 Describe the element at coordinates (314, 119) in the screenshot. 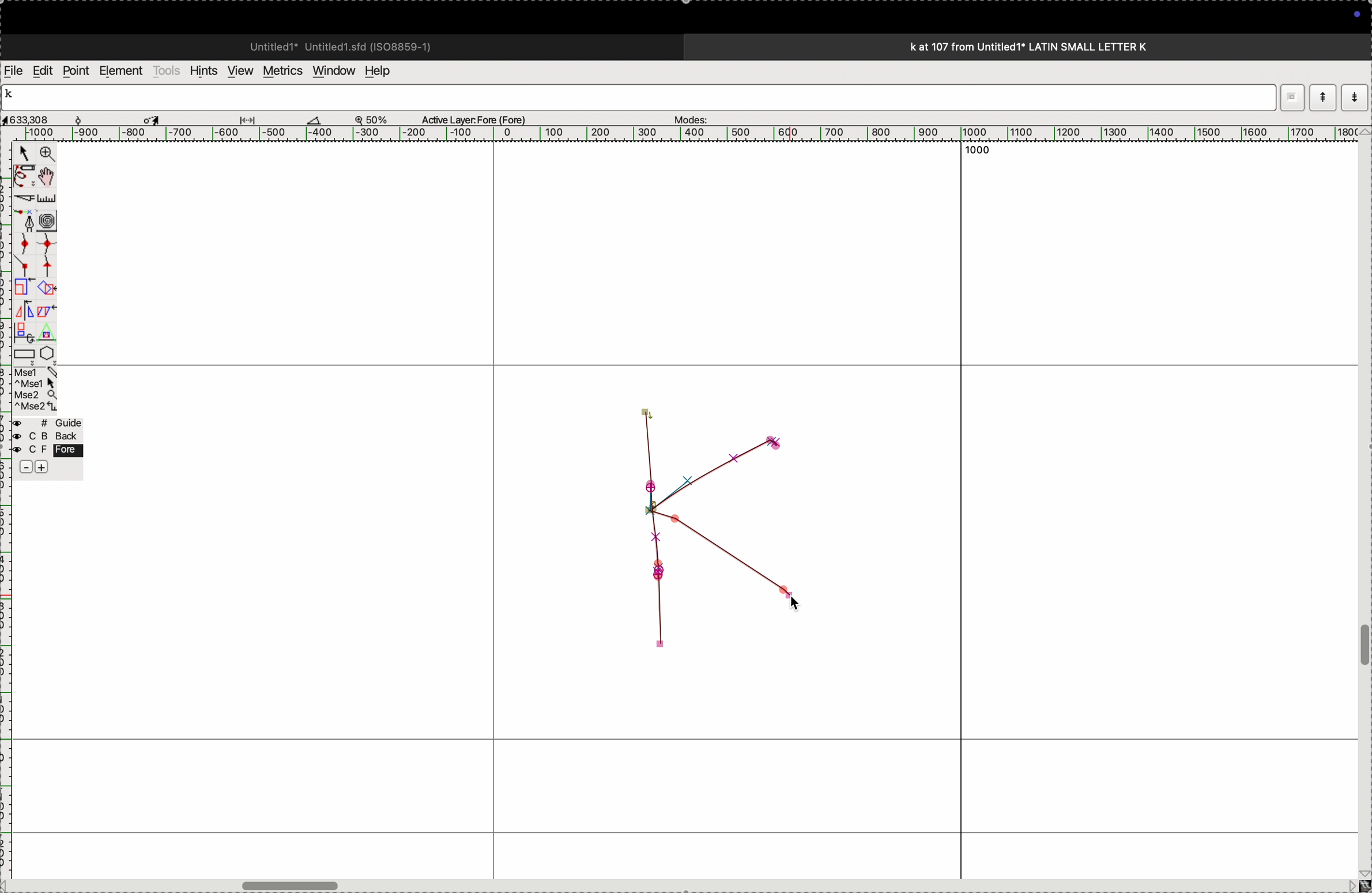

I see `cut` at that location.